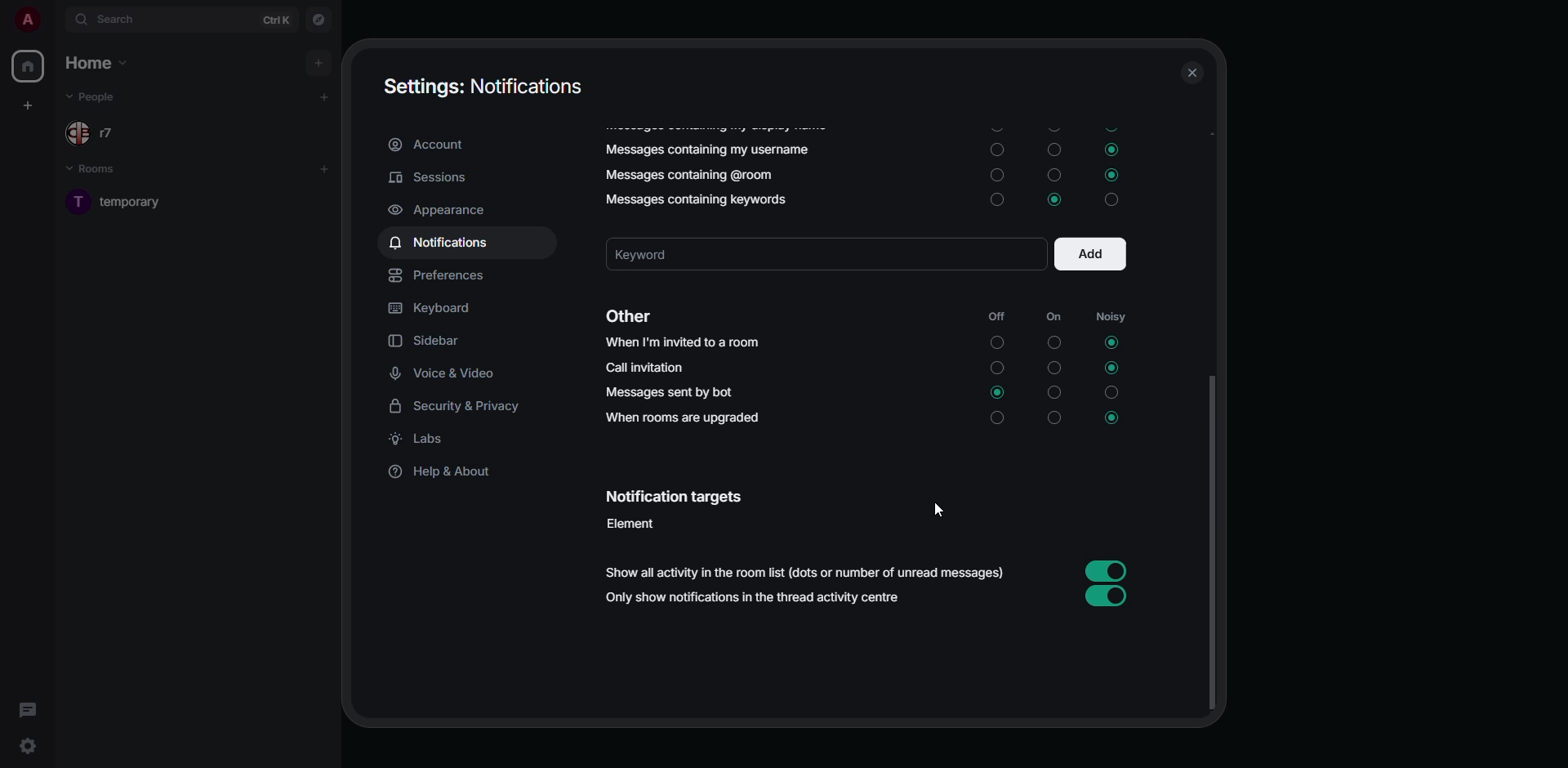 The image size is (1568, 768). Describe the element at coordinates (446, 474) in the screenshot. I see `help & about` at that location.